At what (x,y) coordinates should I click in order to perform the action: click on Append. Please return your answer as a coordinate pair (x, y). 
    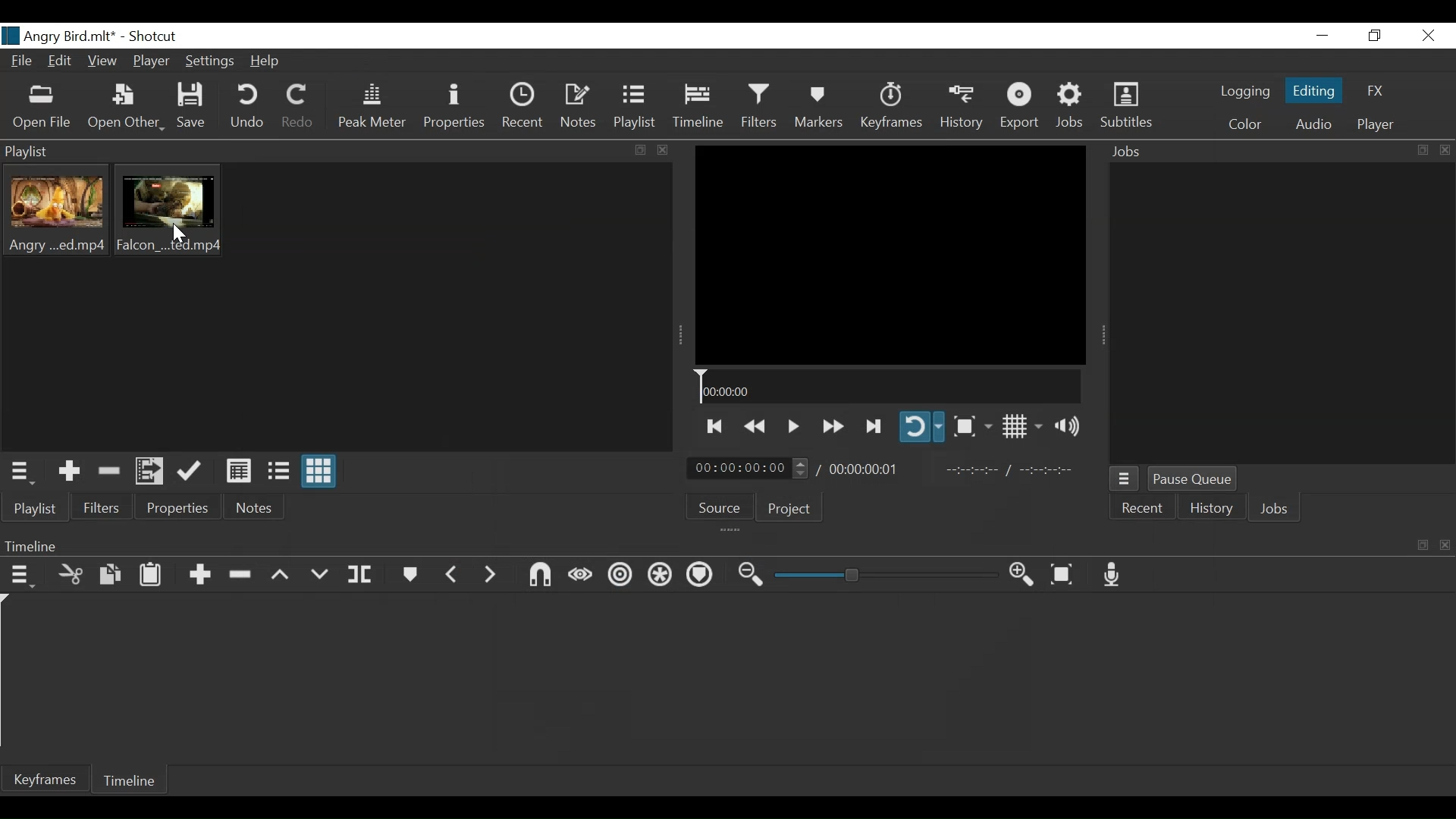
    Looking at the image, I should click on (199, 577).